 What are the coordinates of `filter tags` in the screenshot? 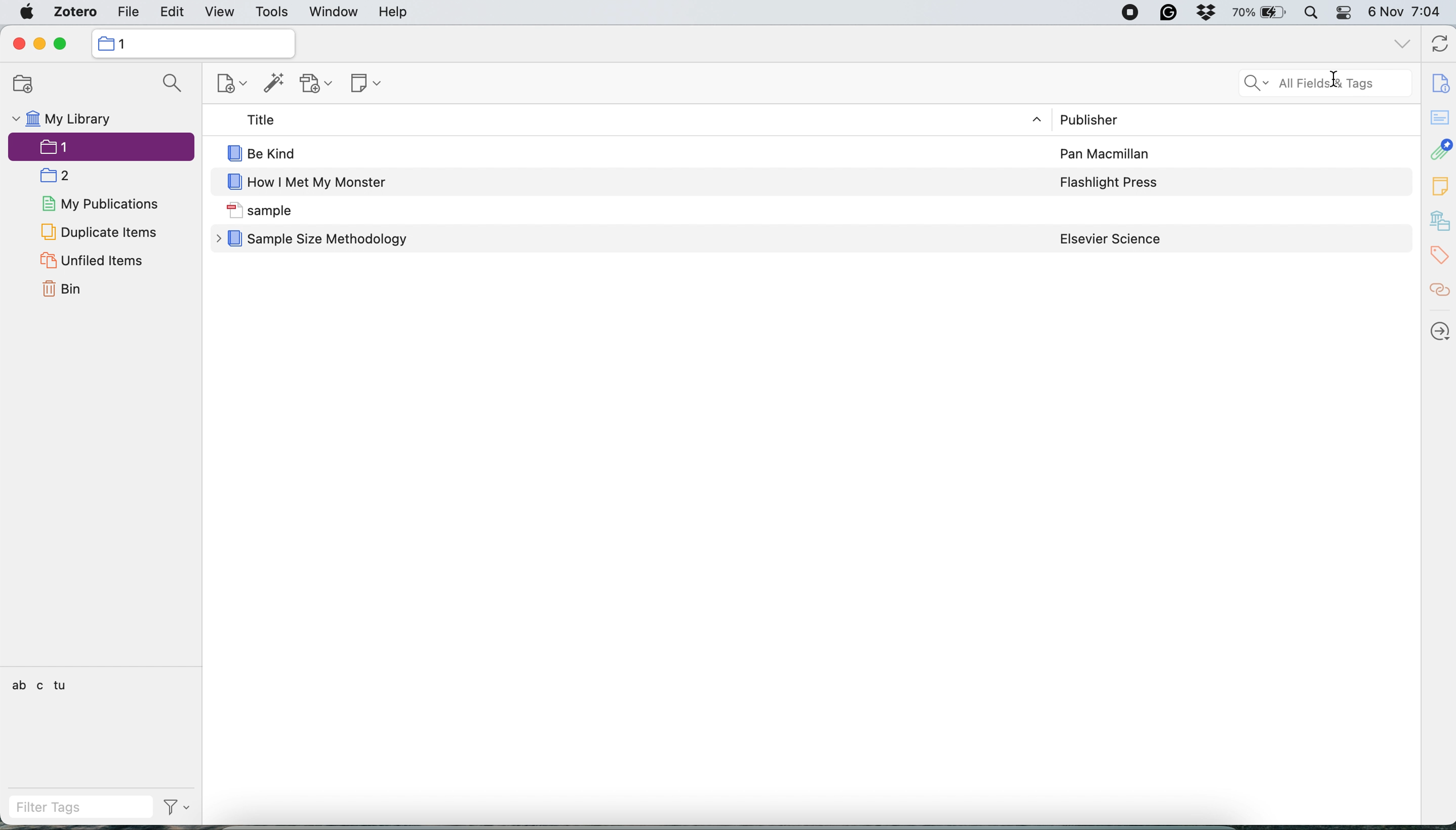 It's located at (80, 805).